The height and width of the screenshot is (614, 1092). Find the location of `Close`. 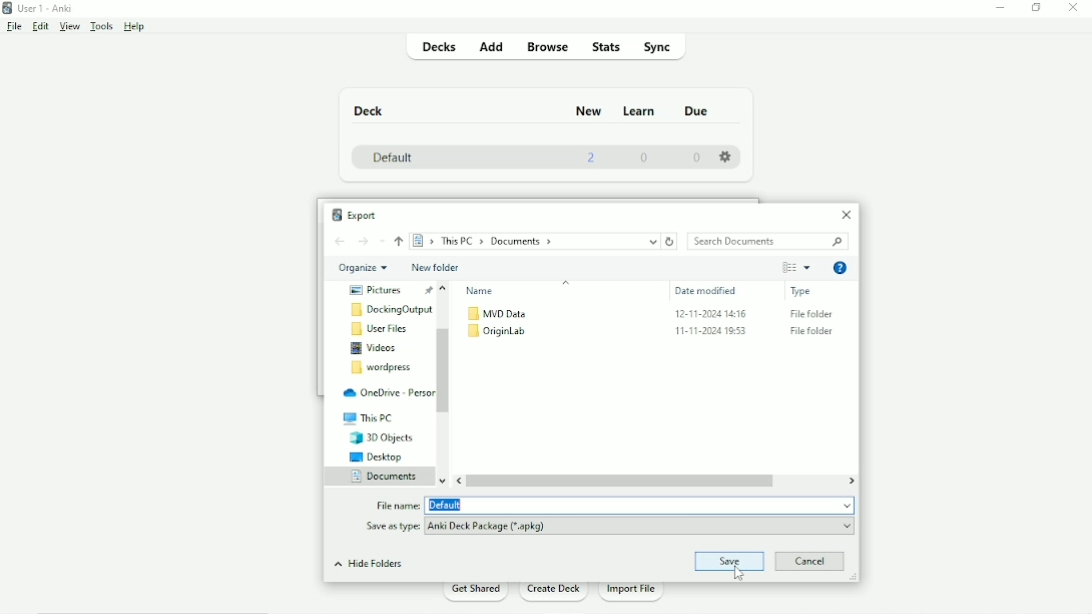

Close is located at coordinates (848, 215).